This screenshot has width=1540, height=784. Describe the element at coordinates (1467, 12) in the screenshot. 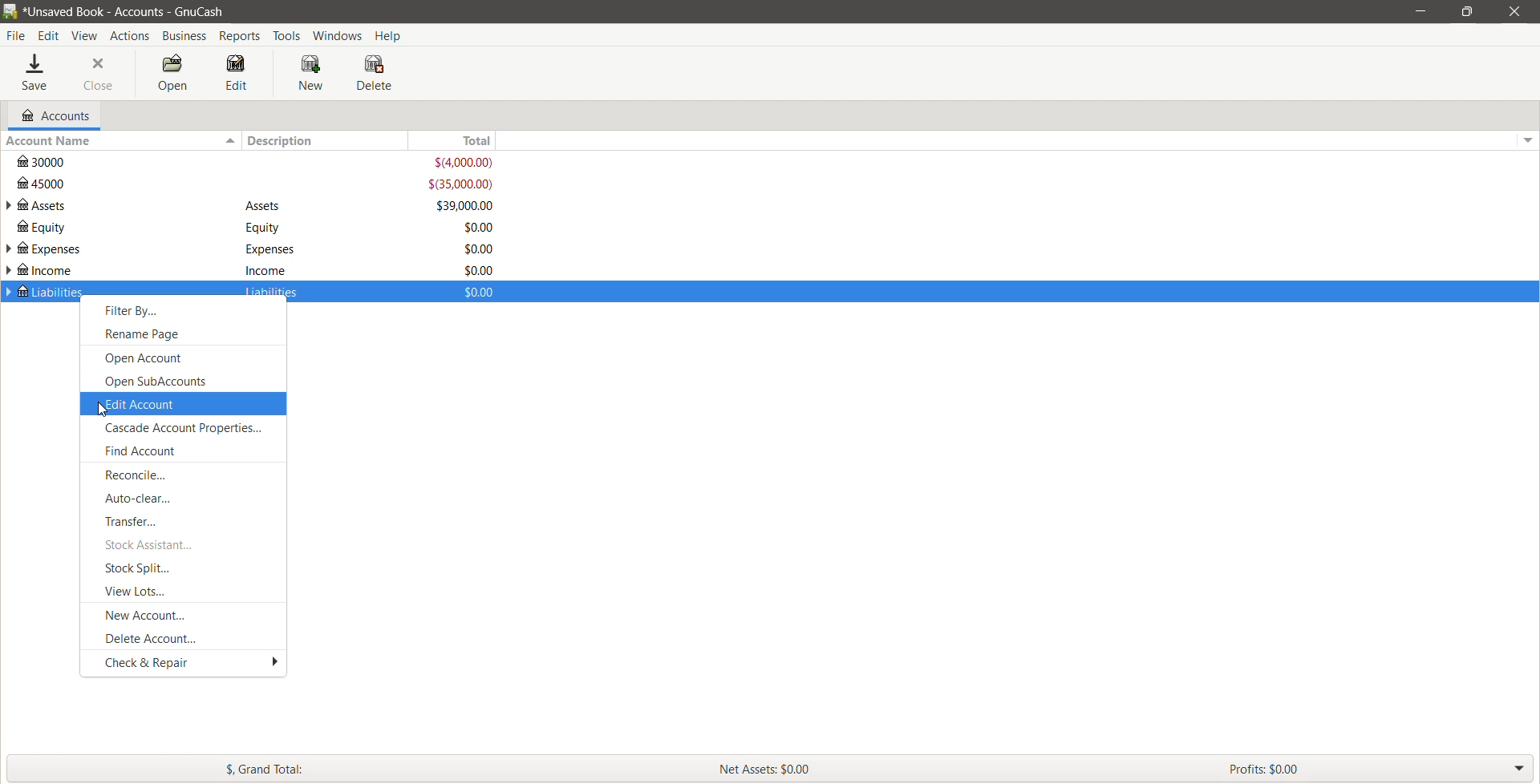

I see `Restore Down` at that location.